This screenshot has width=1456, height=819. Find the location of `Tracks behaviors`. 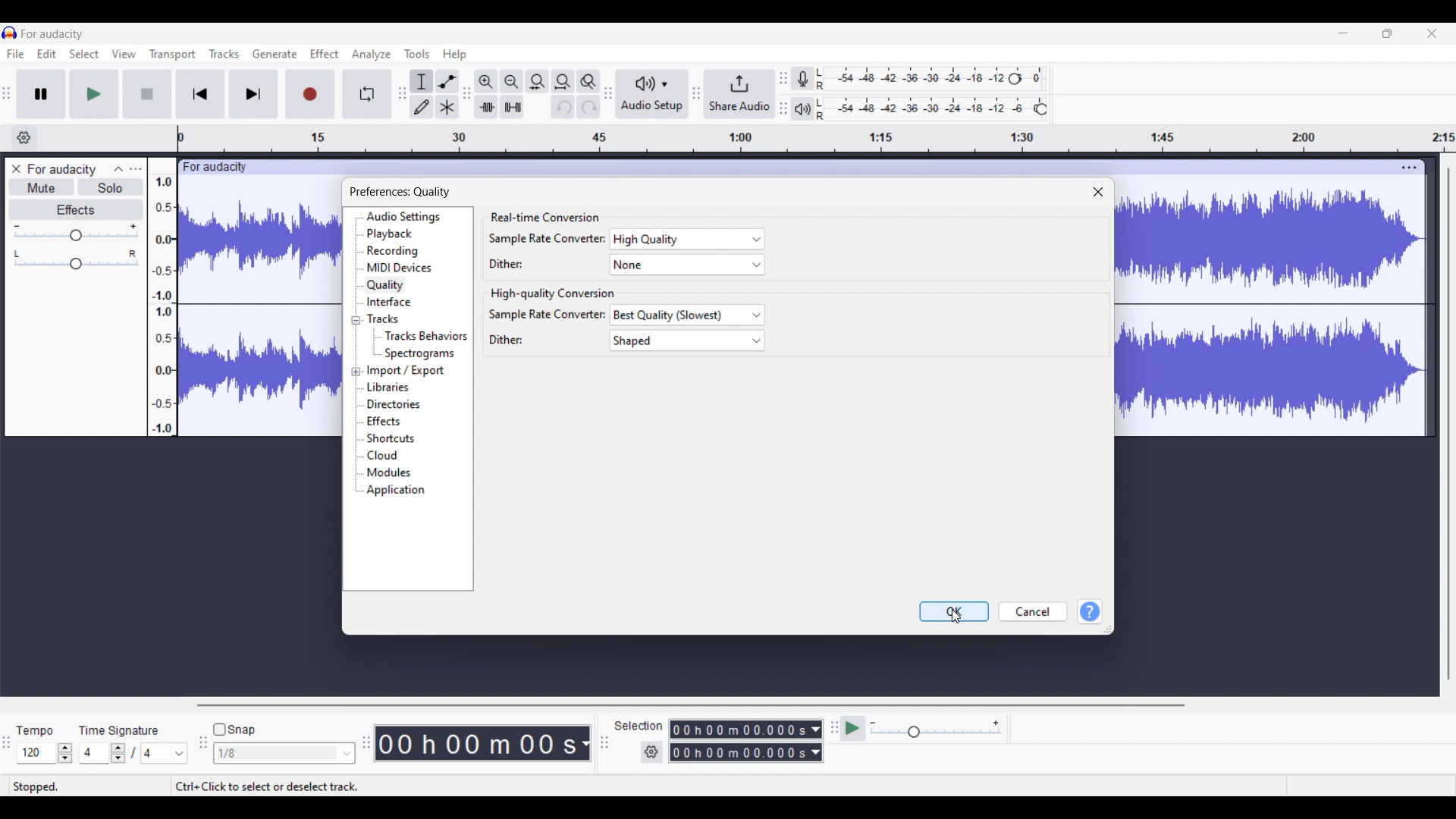

Tracks behaviors is located at coordinates (425, 336).